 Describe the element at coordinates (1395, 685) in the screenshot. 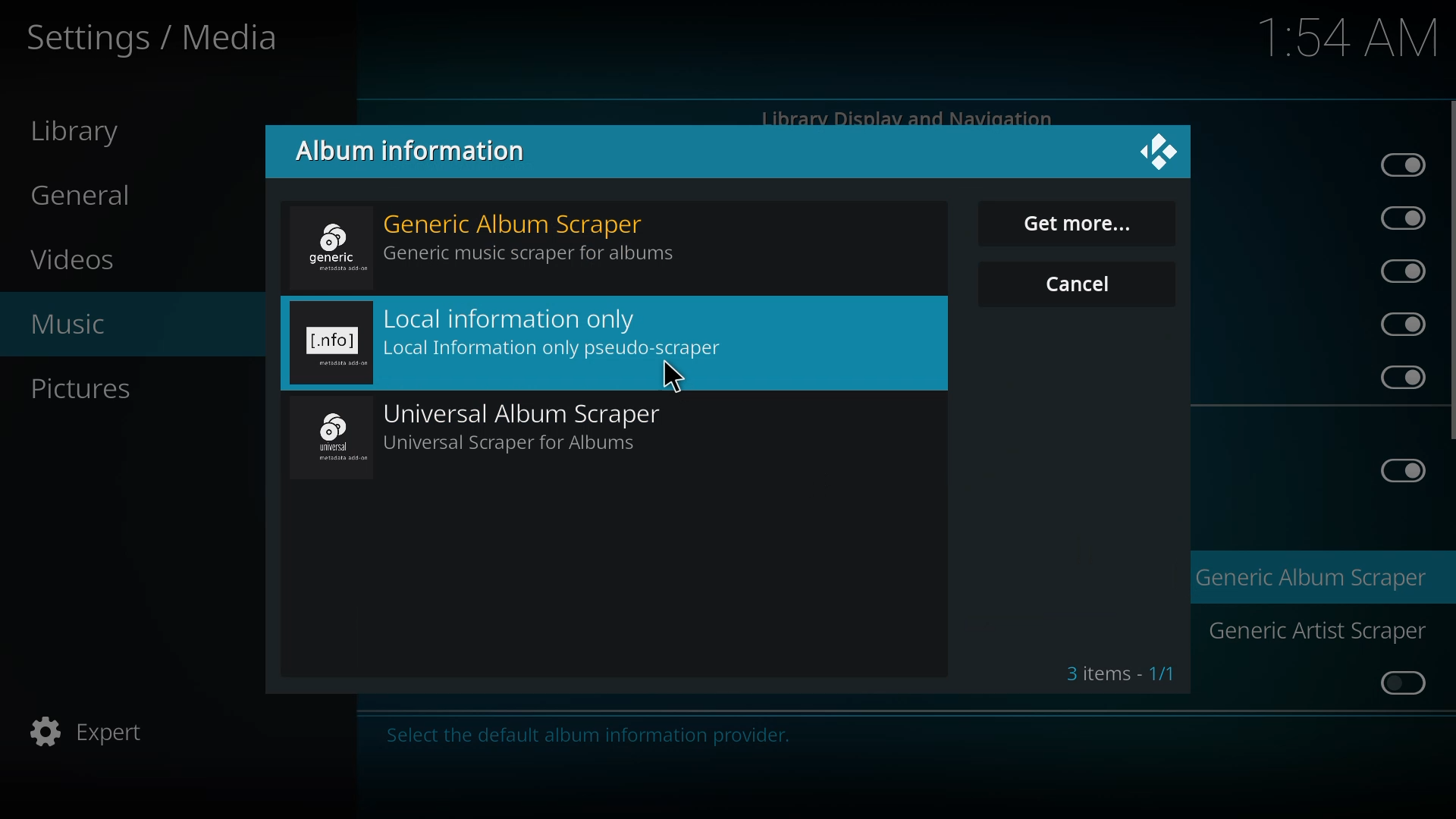

I see `click to enable` at that location.